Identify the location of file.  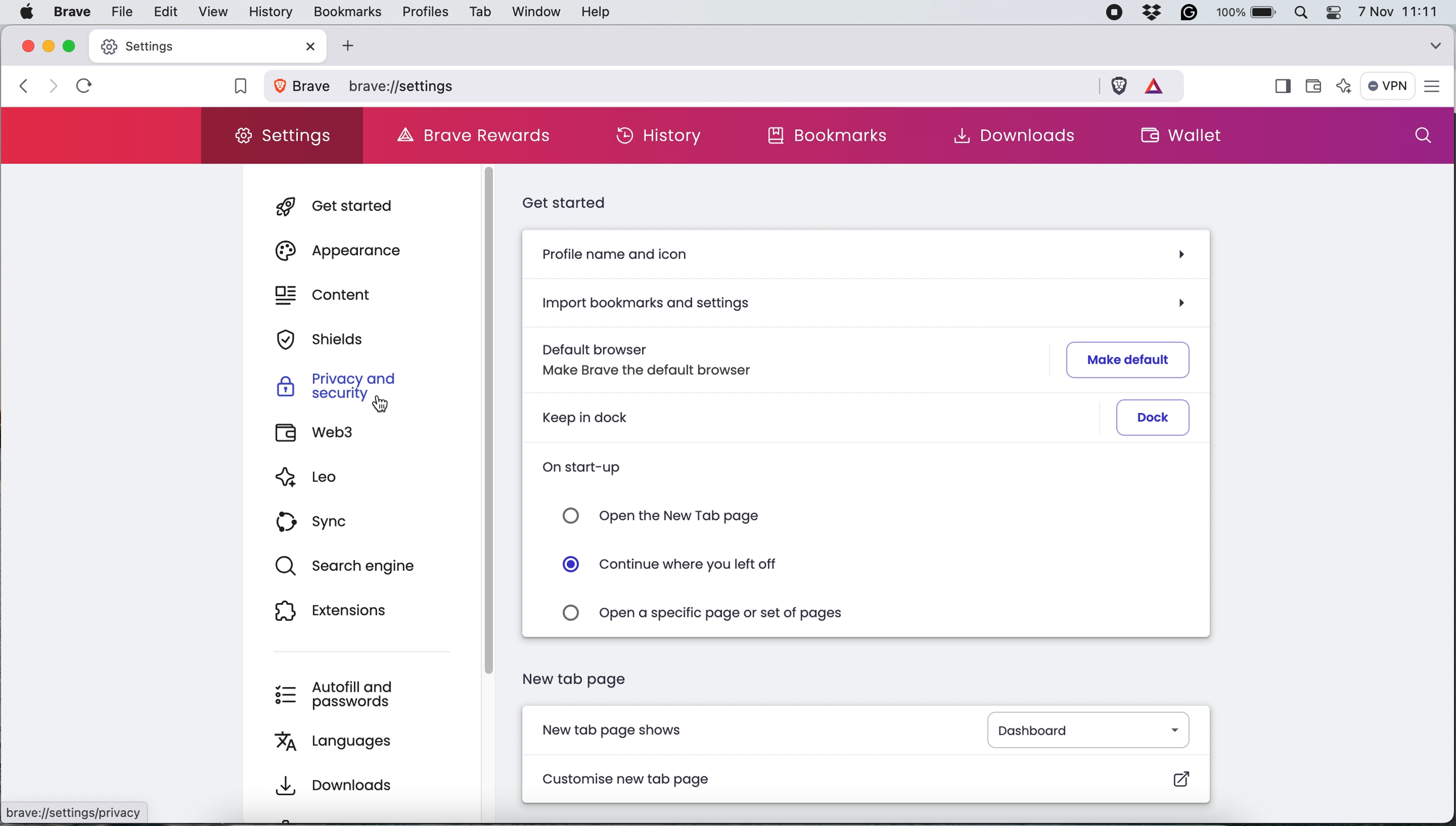
(119, 12).